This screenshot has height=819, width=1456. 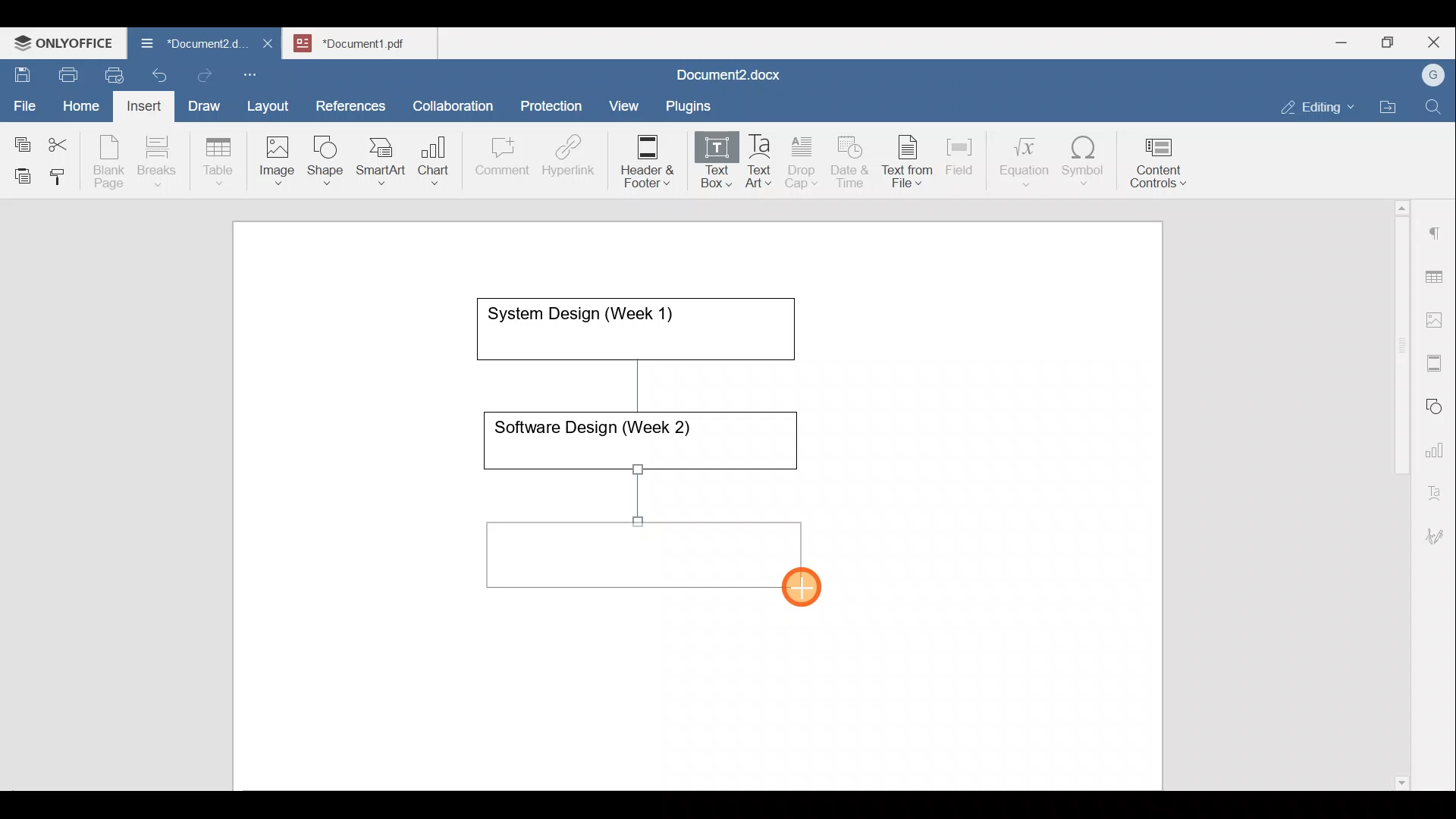 What do you see at coordinates (268, 45) in the screenshot?
I see `Close document` at bounding box center [268, 45].